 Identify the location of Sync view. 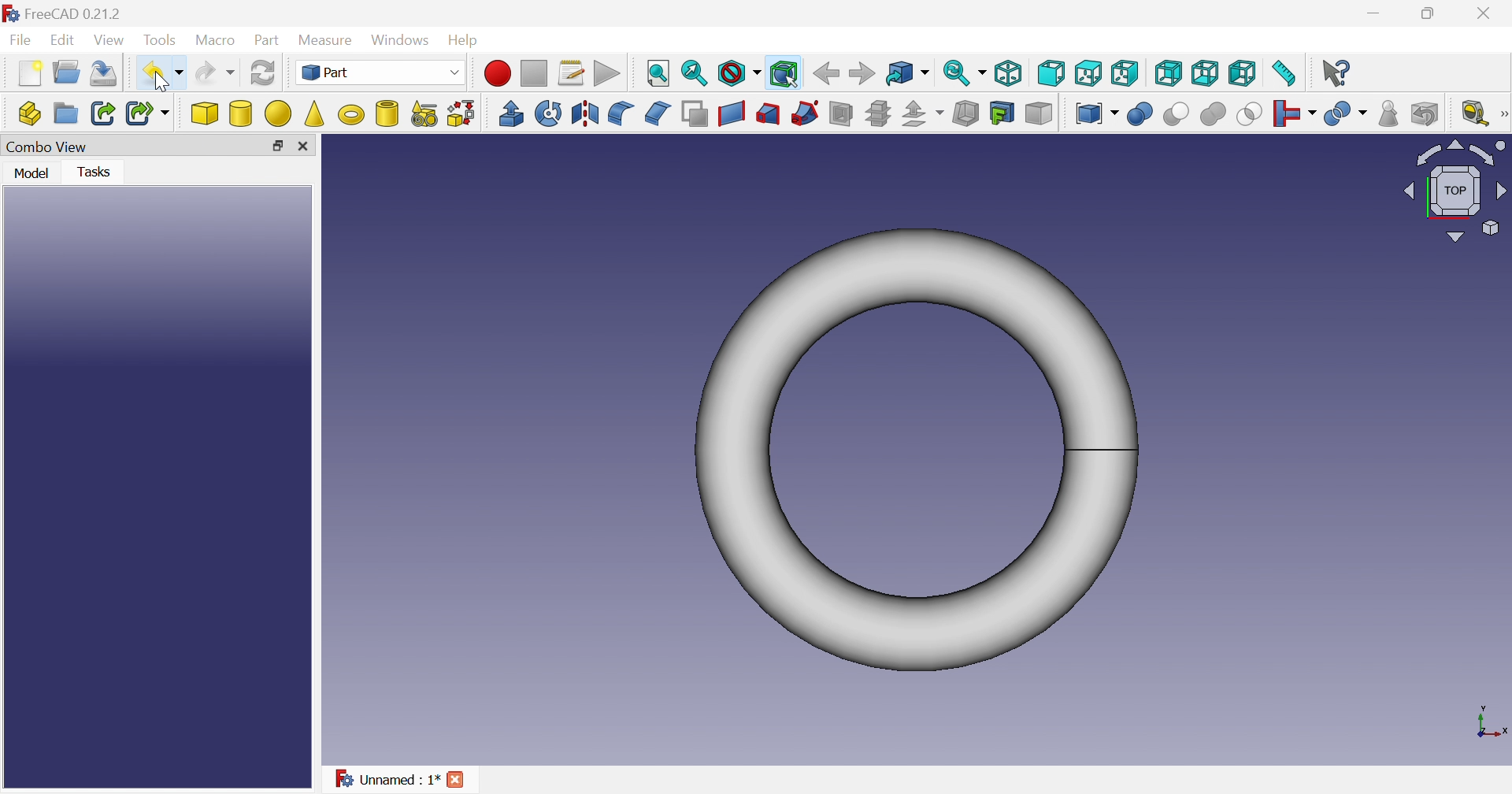
(965, 73).